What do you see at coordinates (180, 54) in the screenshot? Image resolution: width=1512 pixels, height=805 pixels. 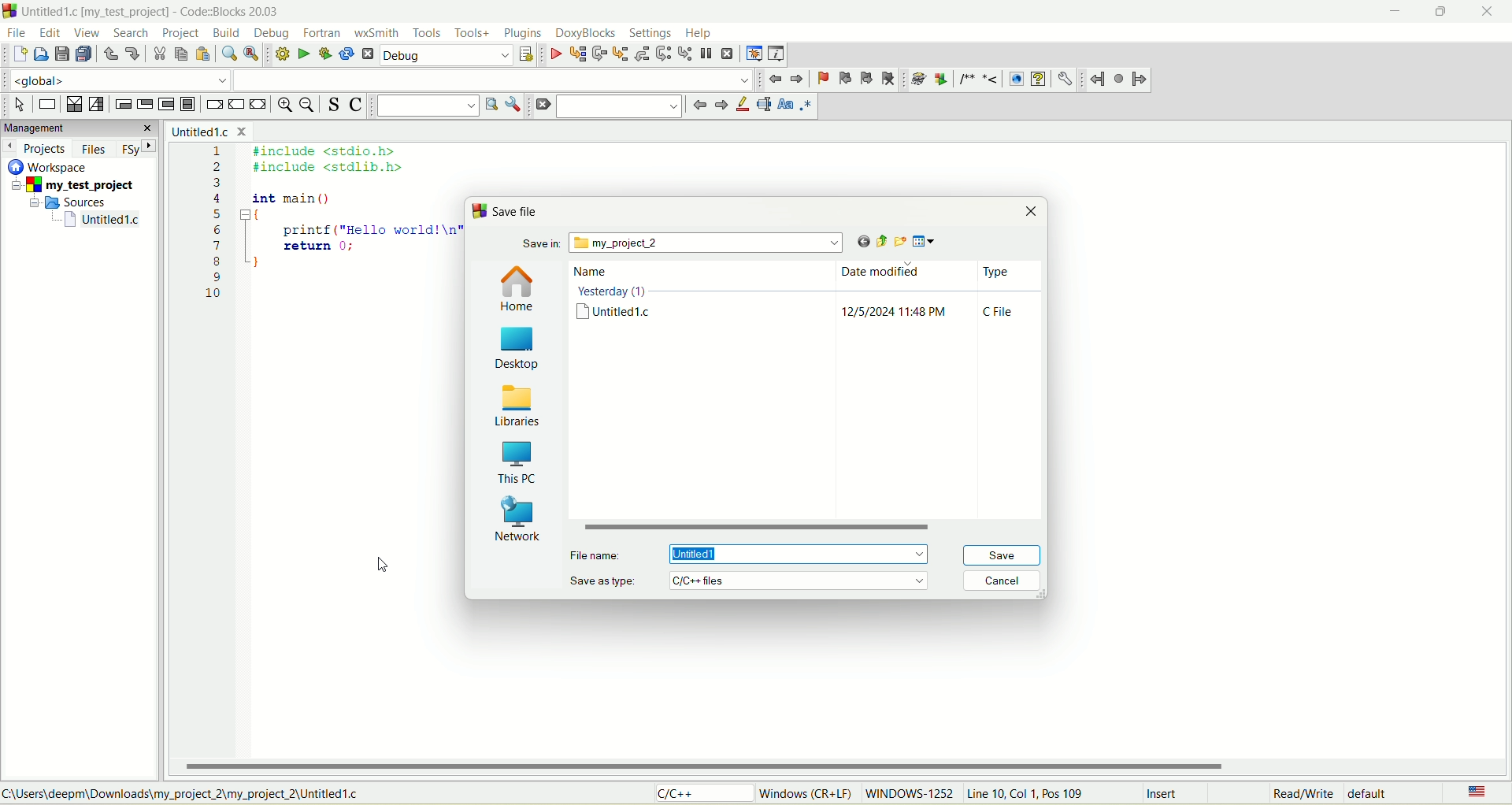 I see `copy` at bounding box center [180, 54].